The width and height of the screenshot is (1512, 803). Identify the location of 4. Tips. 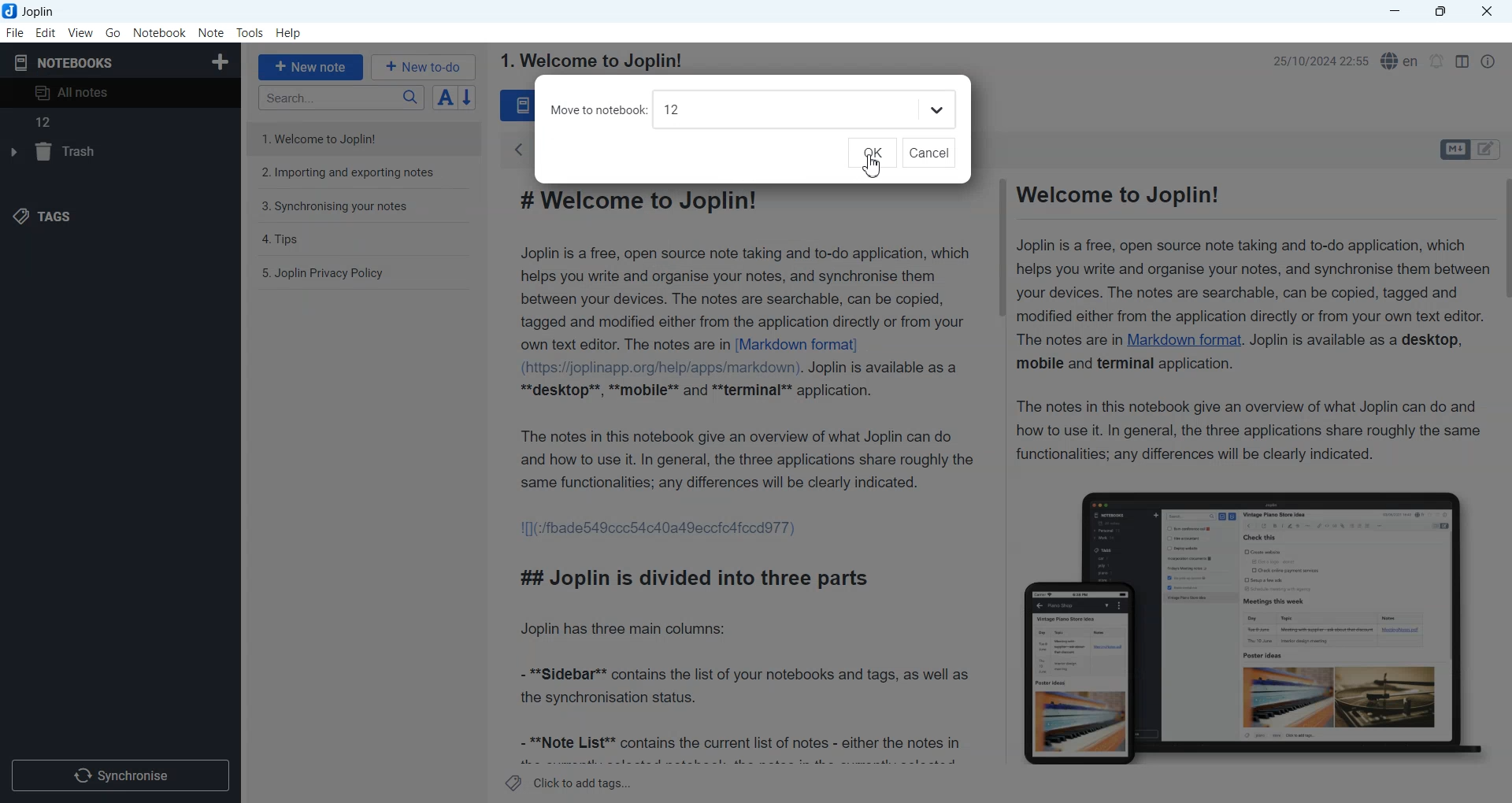
(282, 239).